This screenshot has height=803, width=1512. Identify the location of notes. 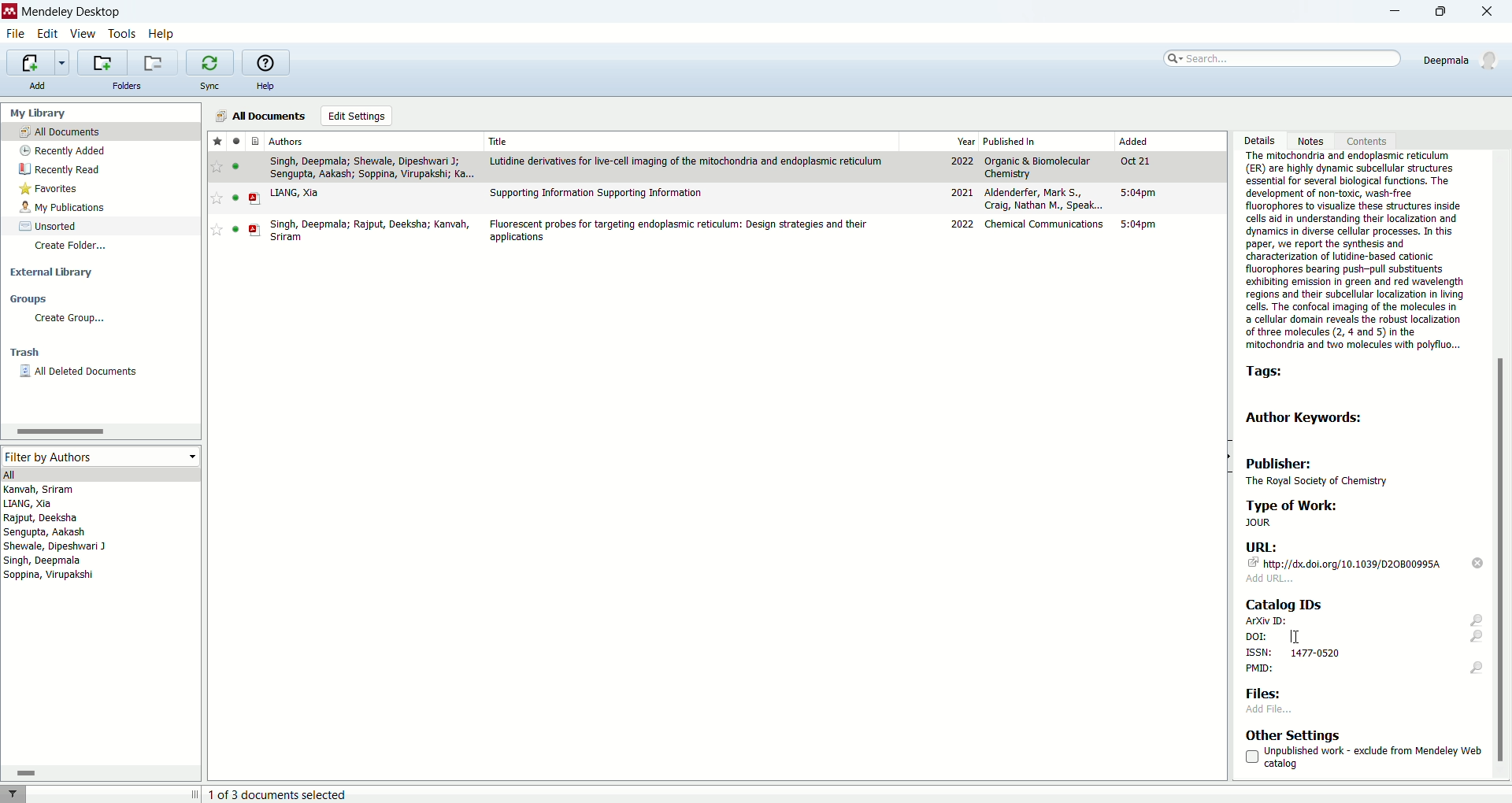
(1314, 140).